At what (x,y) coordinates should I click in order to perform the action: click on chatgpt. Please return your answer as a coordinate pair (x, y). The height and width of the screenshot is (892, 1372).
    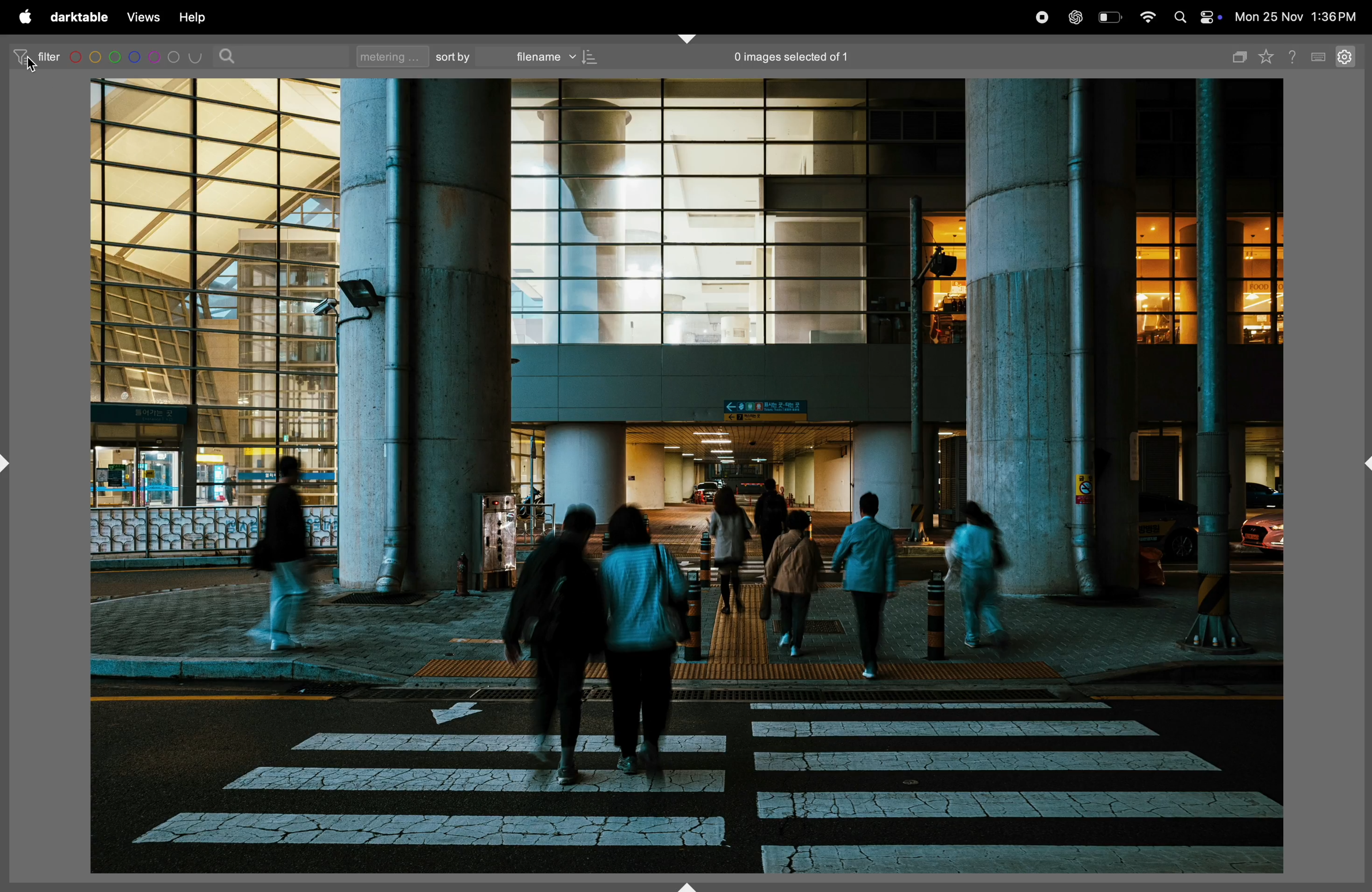
    Looking at the image, I should click on (1079, 16).